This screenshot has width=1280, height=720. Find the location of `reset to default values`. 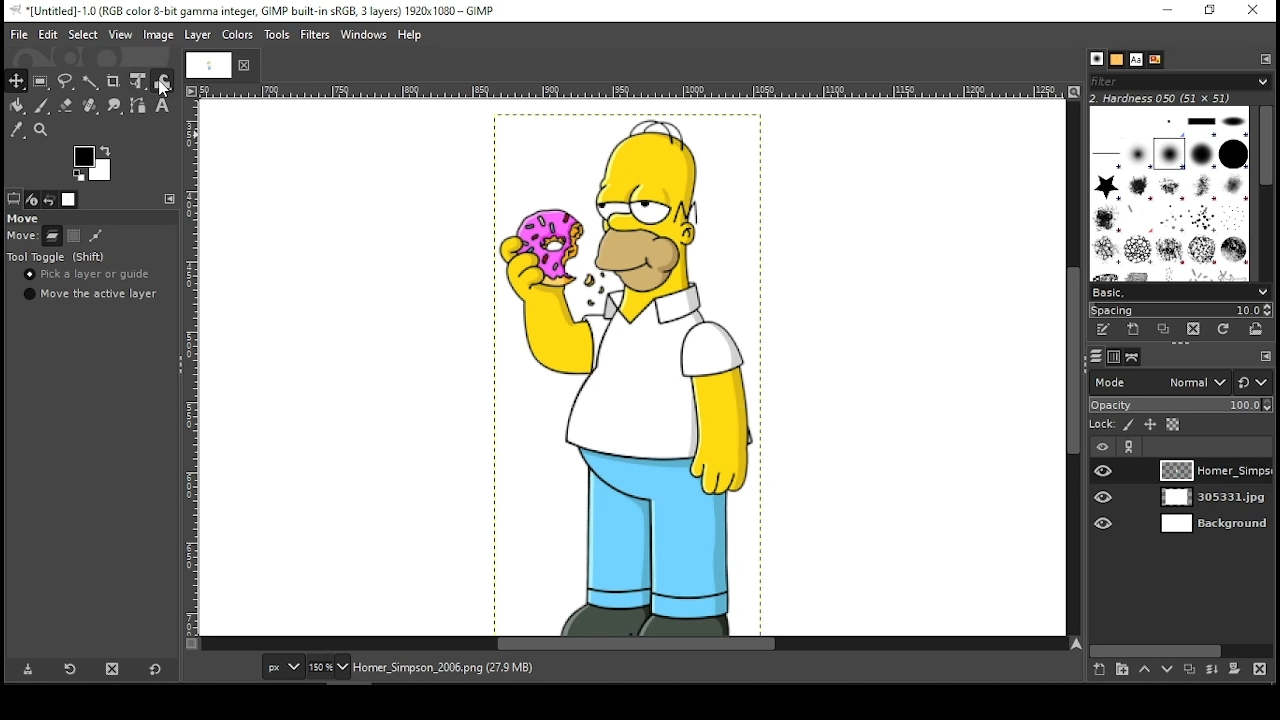

reset to default values is located at coordinates (156, 669).